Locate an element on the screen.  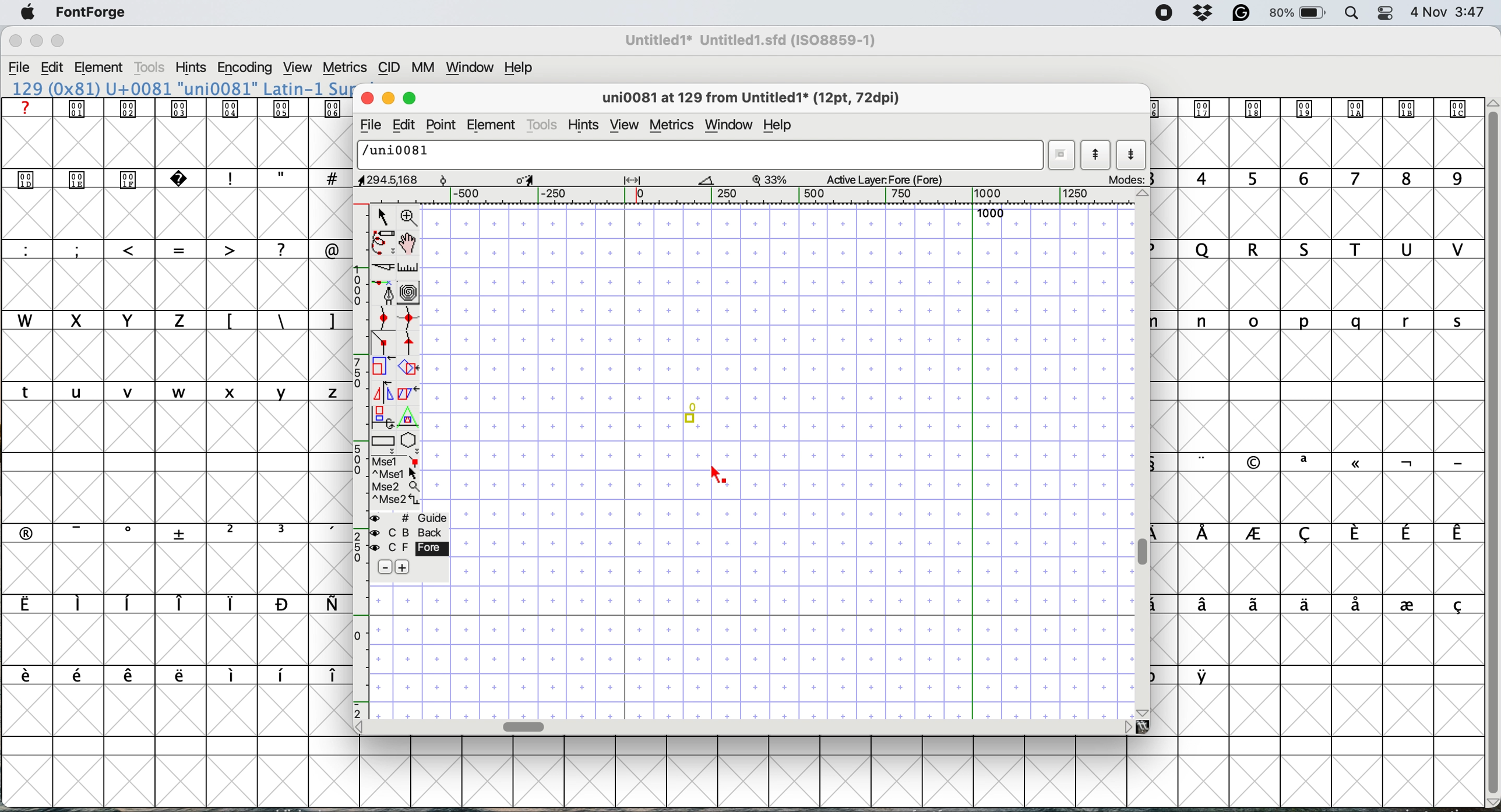
add a point then drag out its points is located at coordinates (385, 291).